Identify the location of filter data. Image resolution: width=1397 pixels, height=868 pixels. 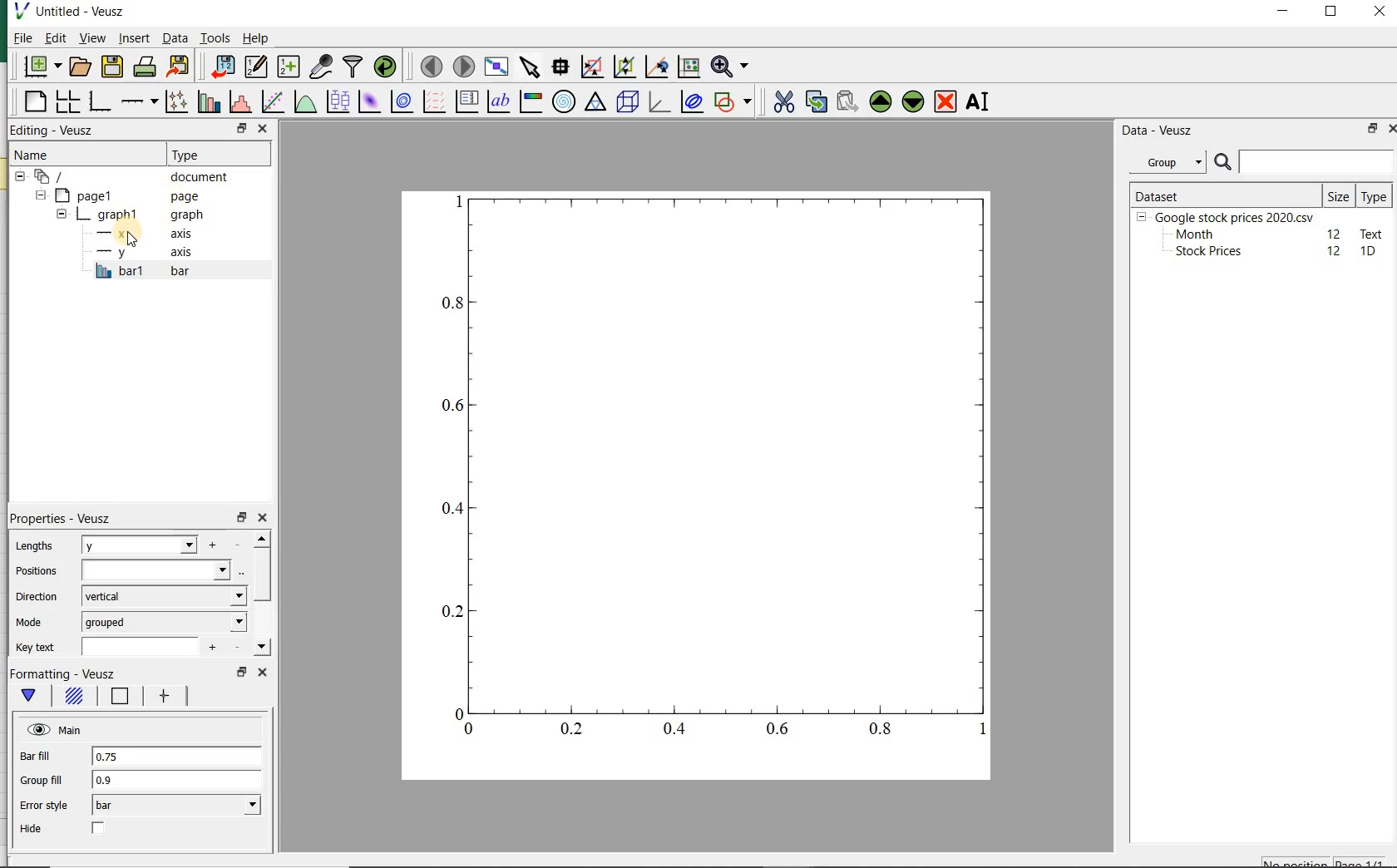
(353, 66).